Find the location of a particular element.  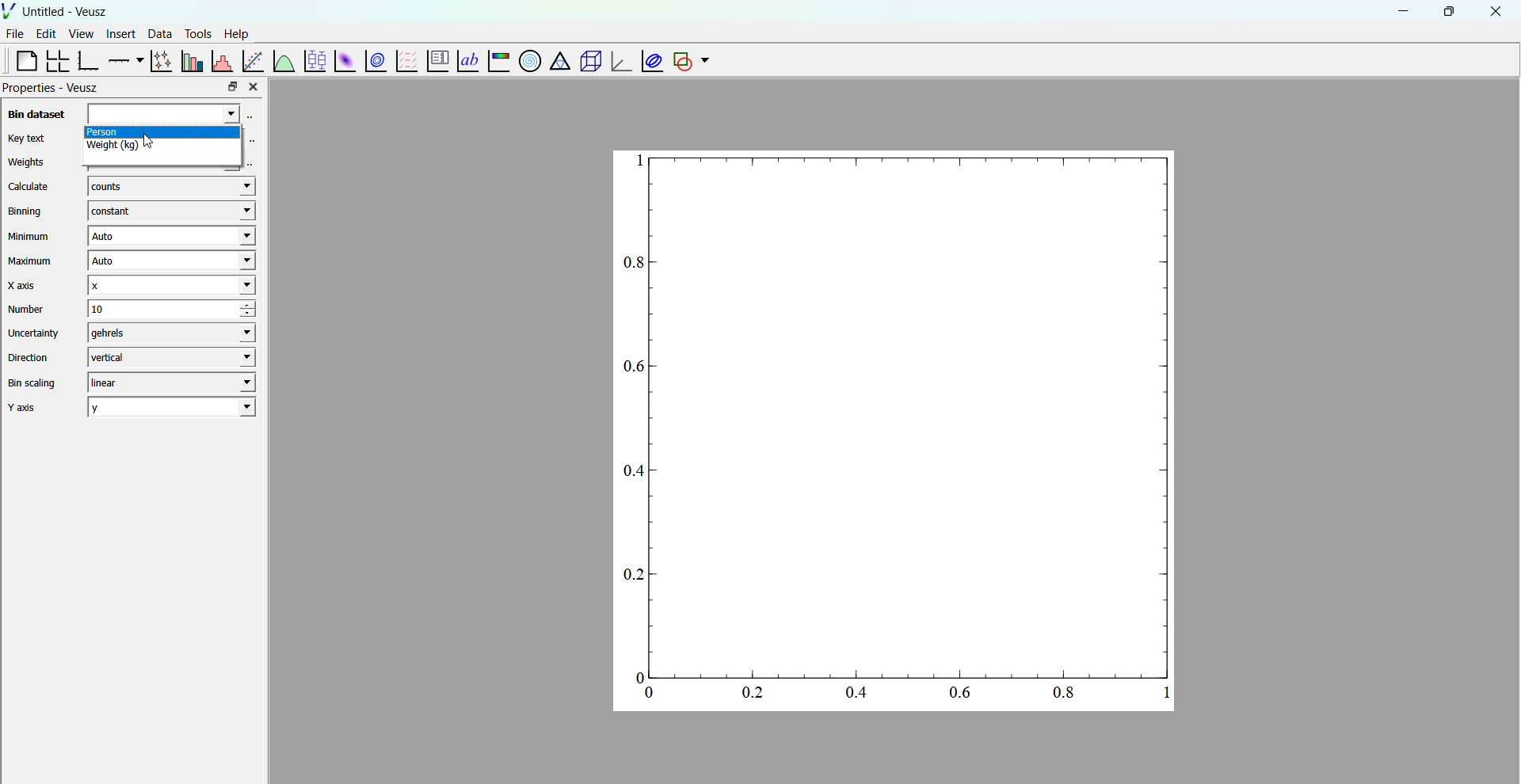

x  is located at coordinates (170, 285).